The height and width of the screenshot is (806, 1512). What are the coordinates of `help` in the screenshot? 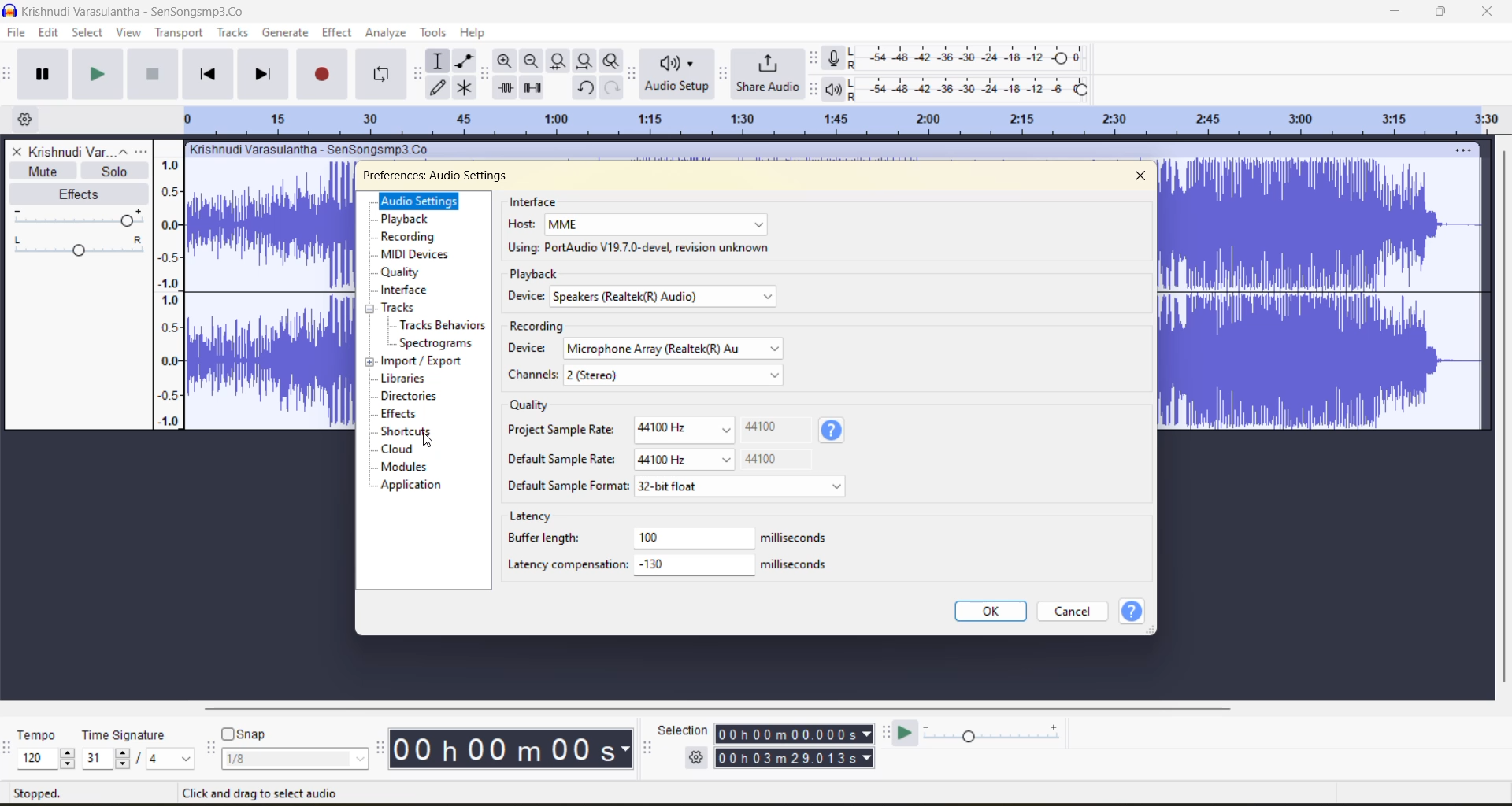 It's located at (475, 31).